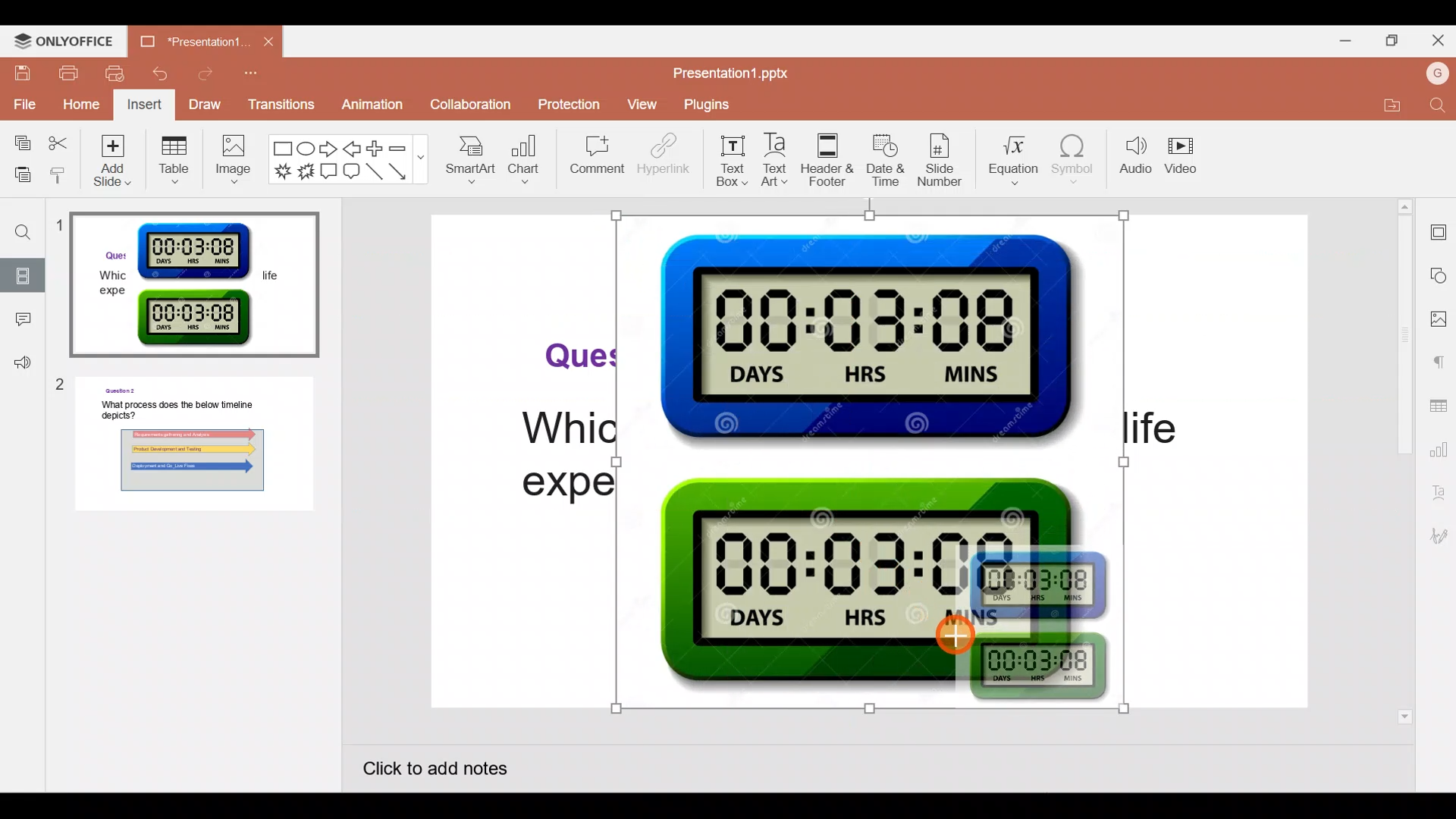 The width and height of the screenshot is (1456, 819). I want to click on Draw, so click(209, 104).